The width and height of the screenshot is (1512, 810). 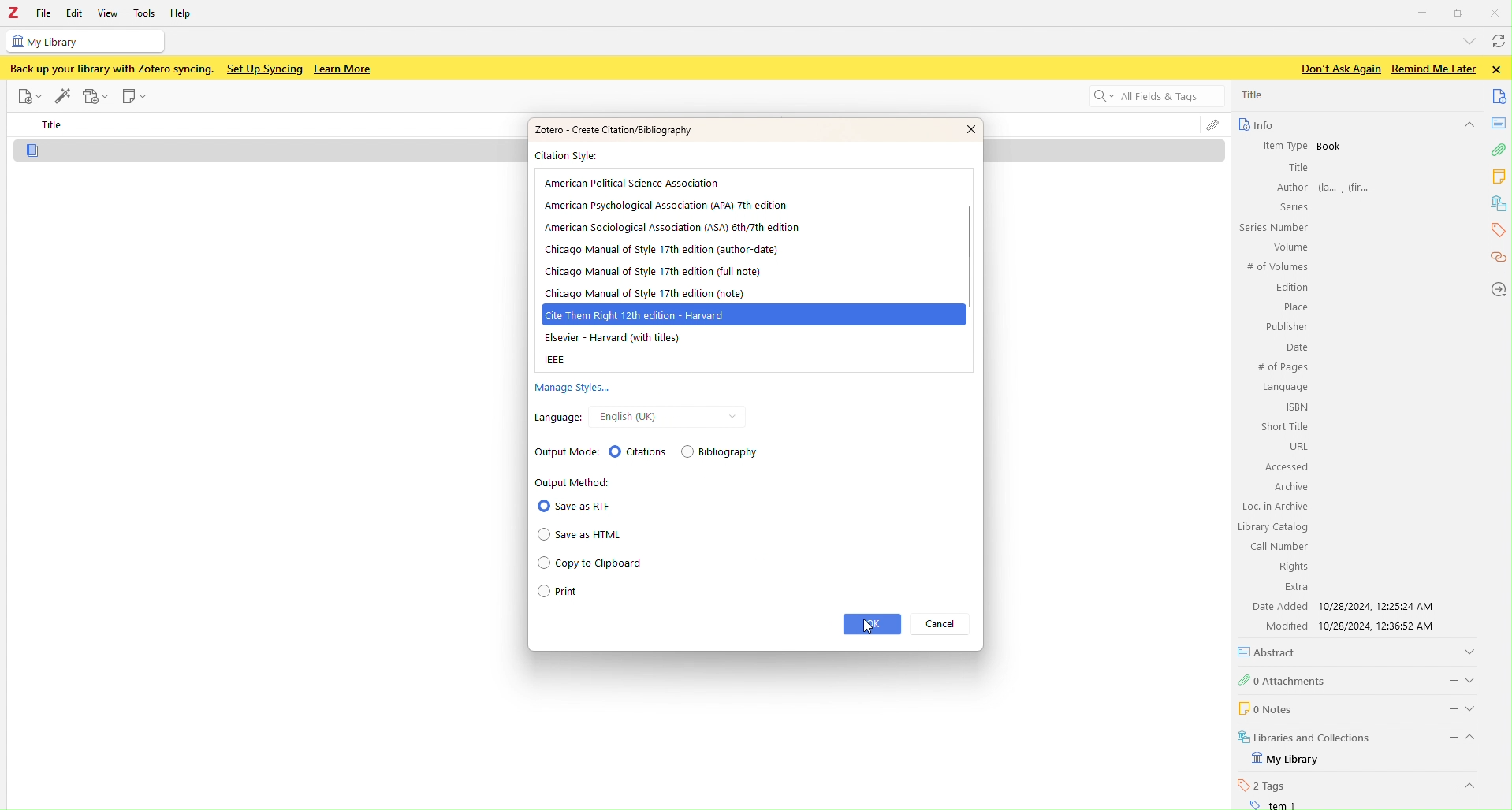 I want to click on Zotero, so click(x=13, y=13).